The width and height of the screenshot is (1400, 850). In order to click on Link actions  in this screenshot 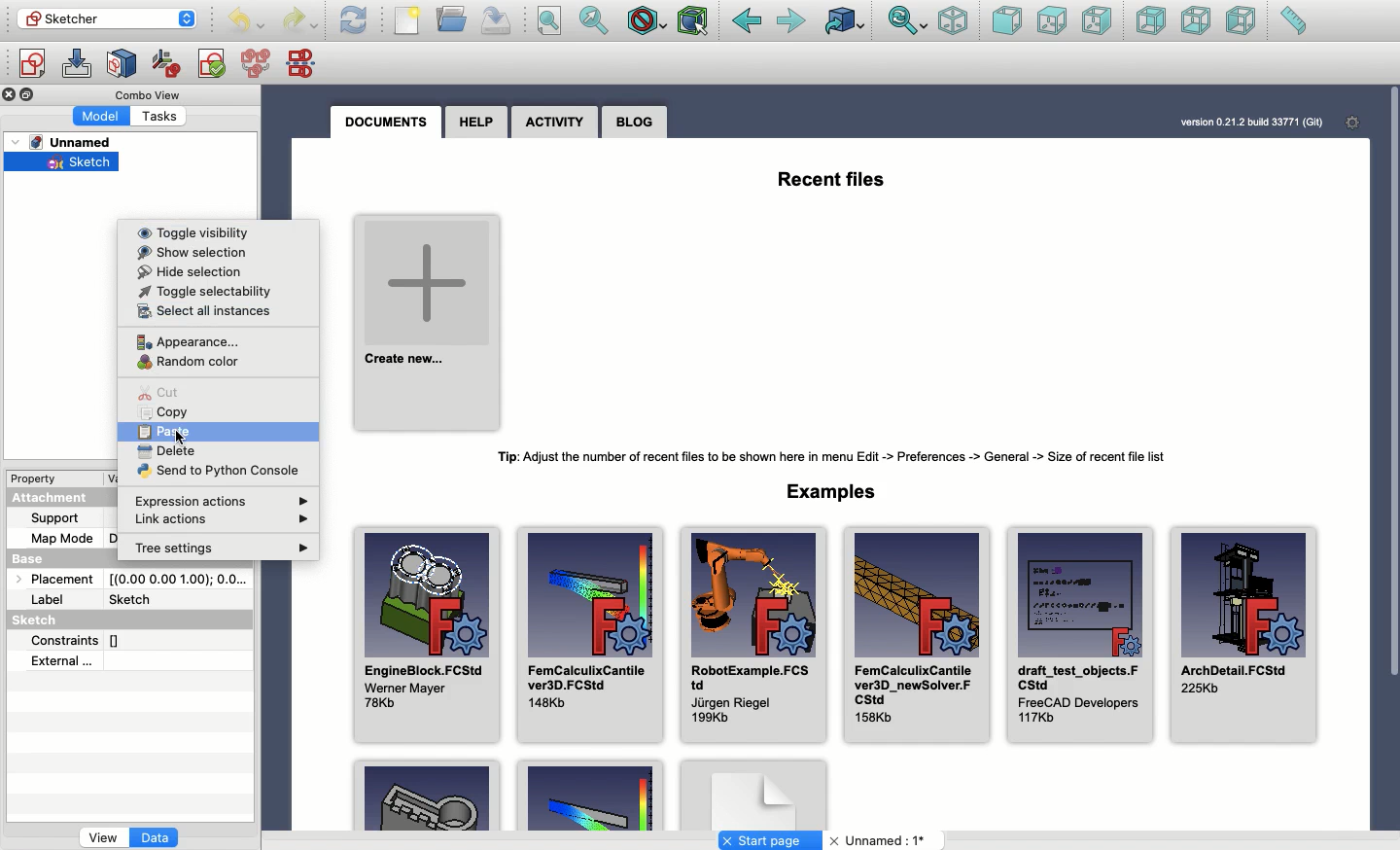, I will do `click(229, 521)`.